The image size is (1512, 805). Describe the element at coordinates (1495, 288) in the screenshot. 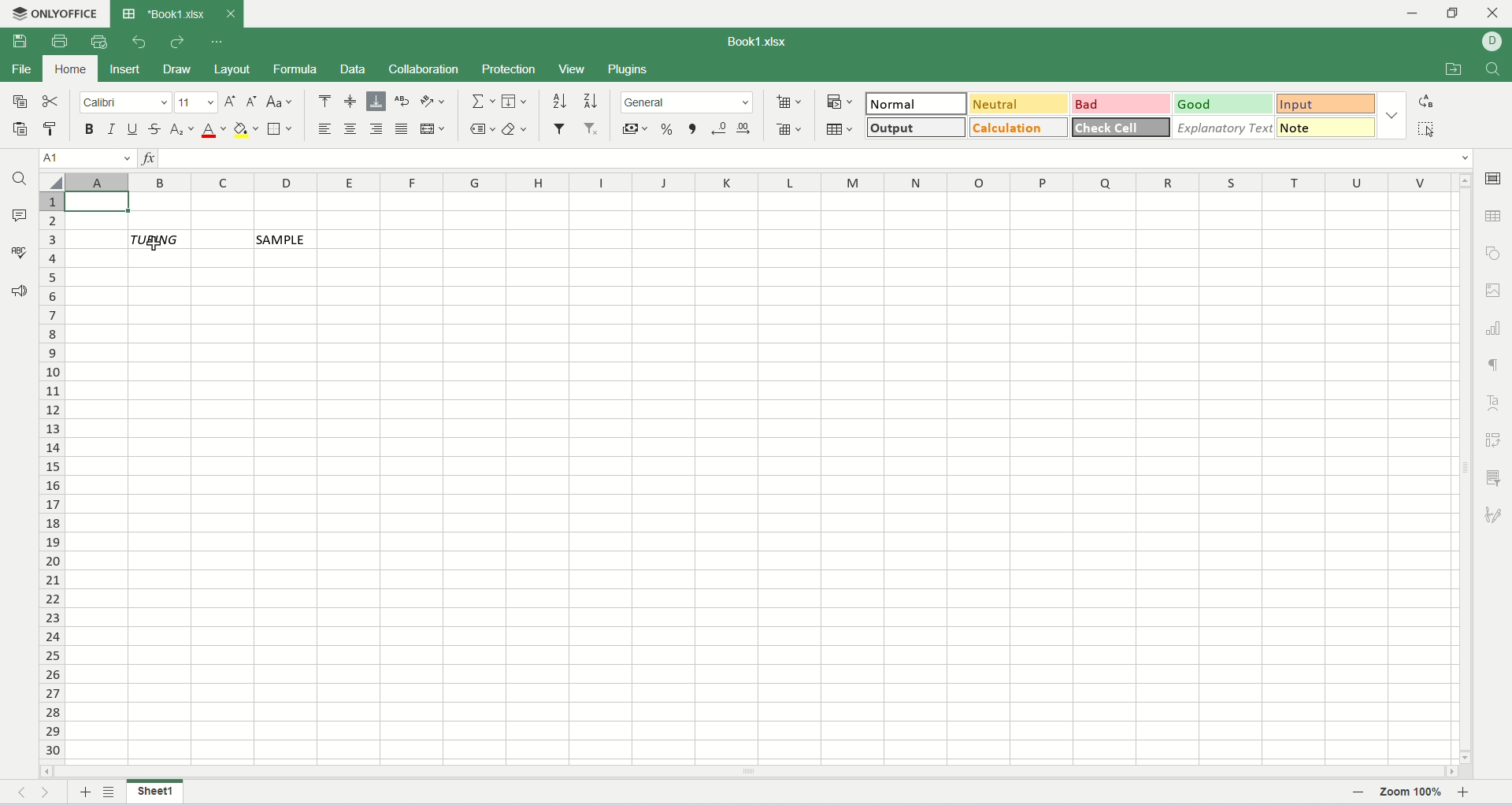

I see `image settings` at that location.